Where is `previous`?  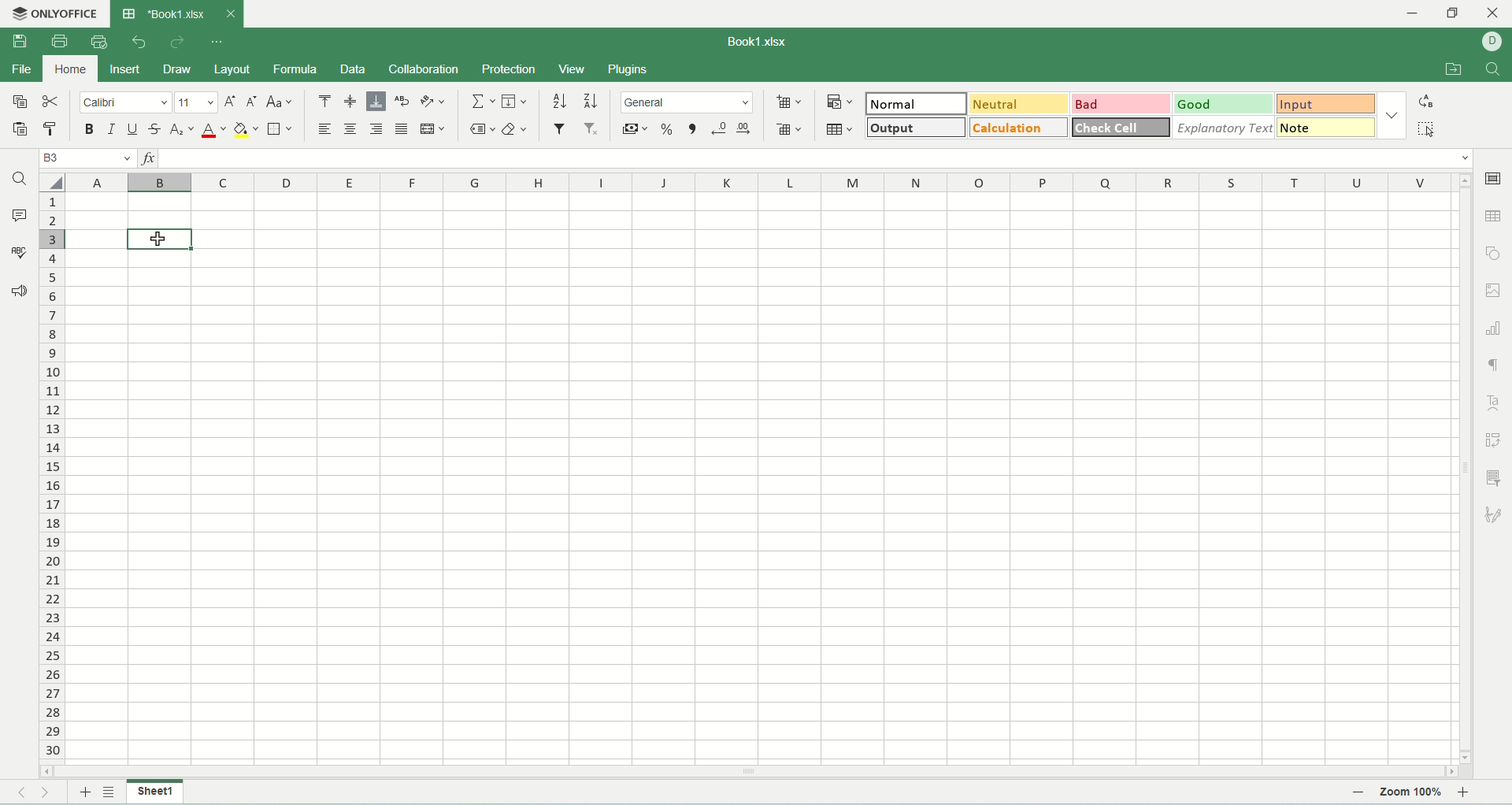
previous is located at coordinates (20, 793).